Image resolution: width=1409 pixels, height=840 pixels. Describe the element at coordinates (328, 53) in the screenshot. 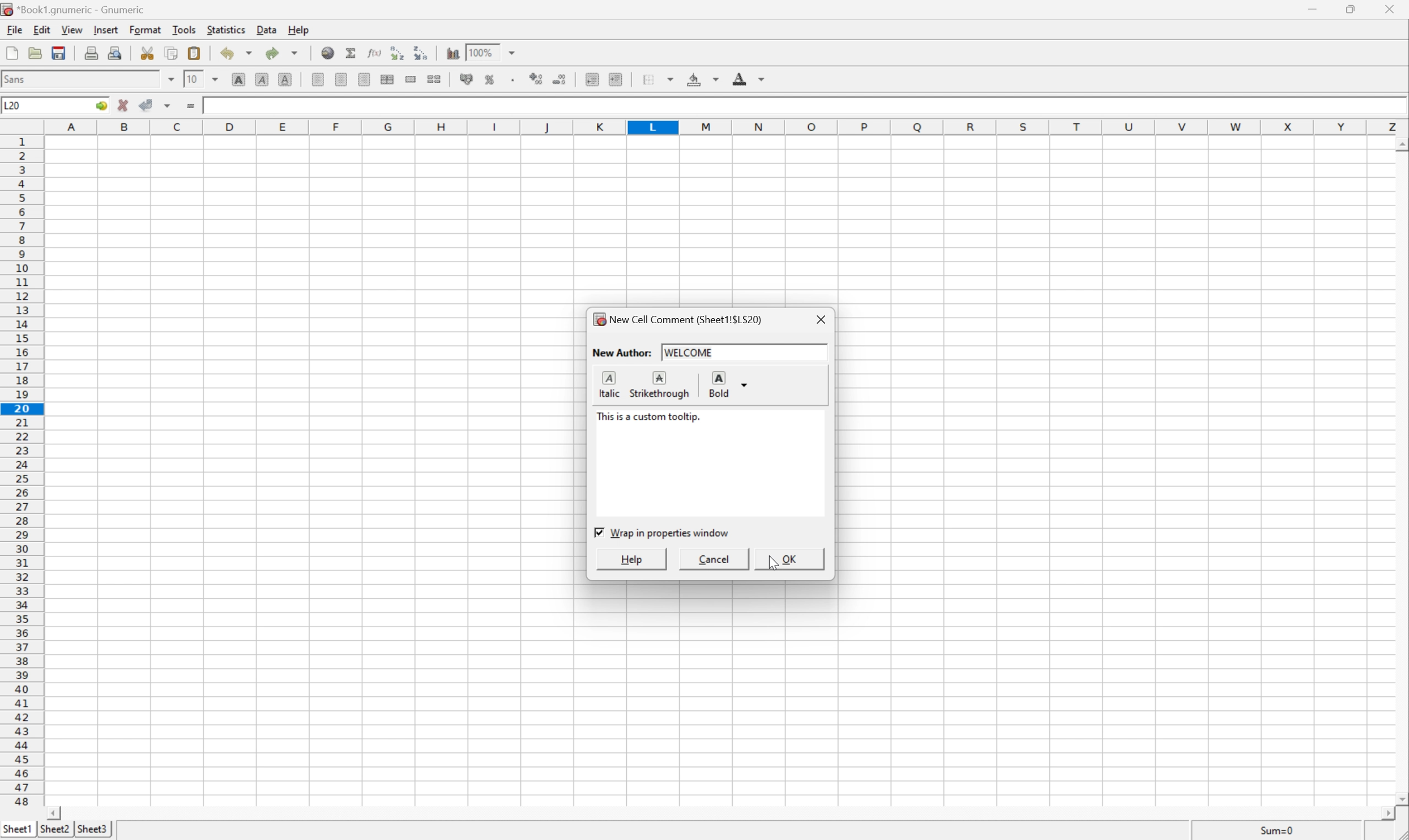

I see `Insert a hyperlink` at that location.